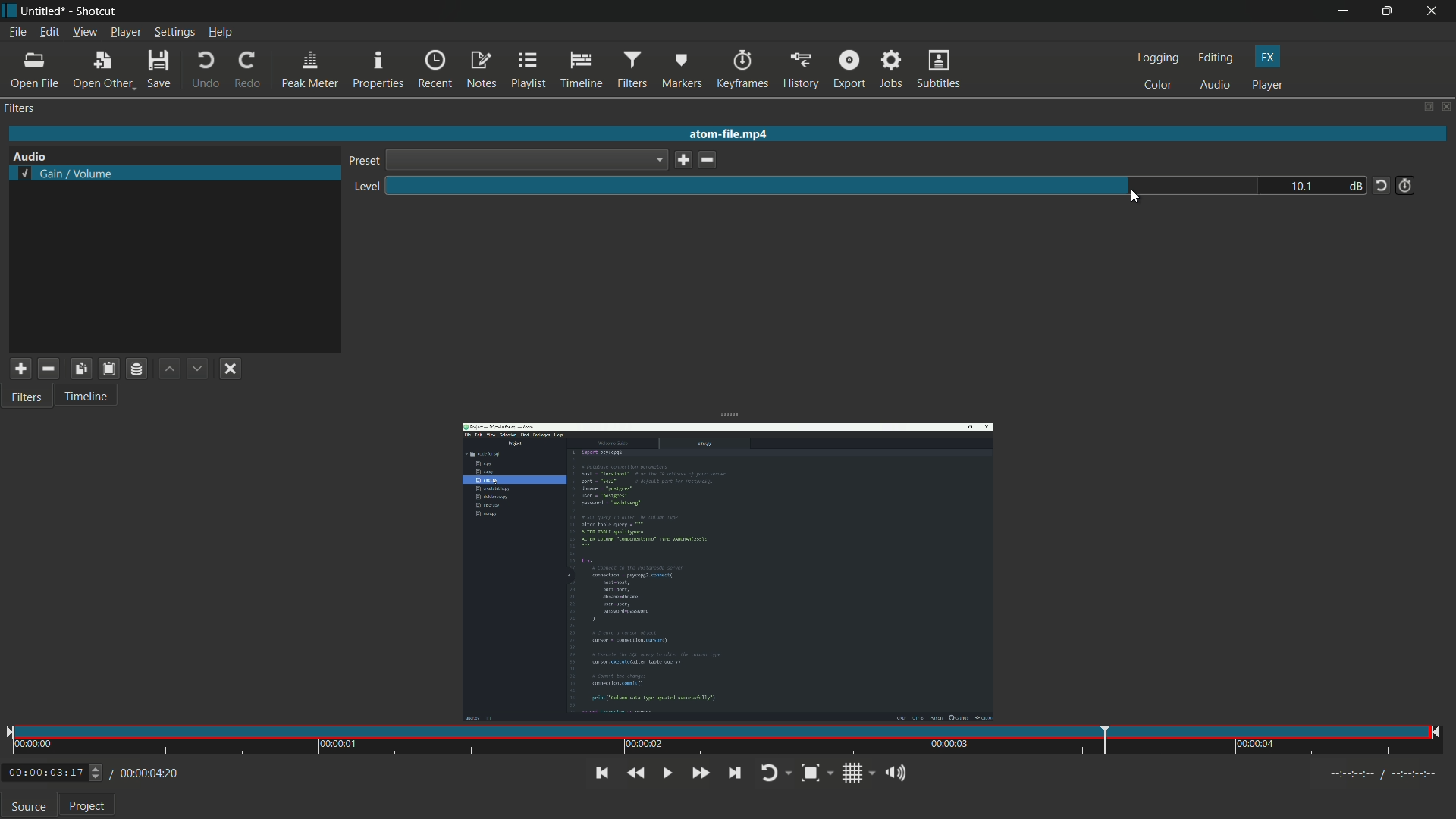  What do you see at coordinates (49, 33) in the screenshot?
I see `edit menu` at bounding box center [49, 33].